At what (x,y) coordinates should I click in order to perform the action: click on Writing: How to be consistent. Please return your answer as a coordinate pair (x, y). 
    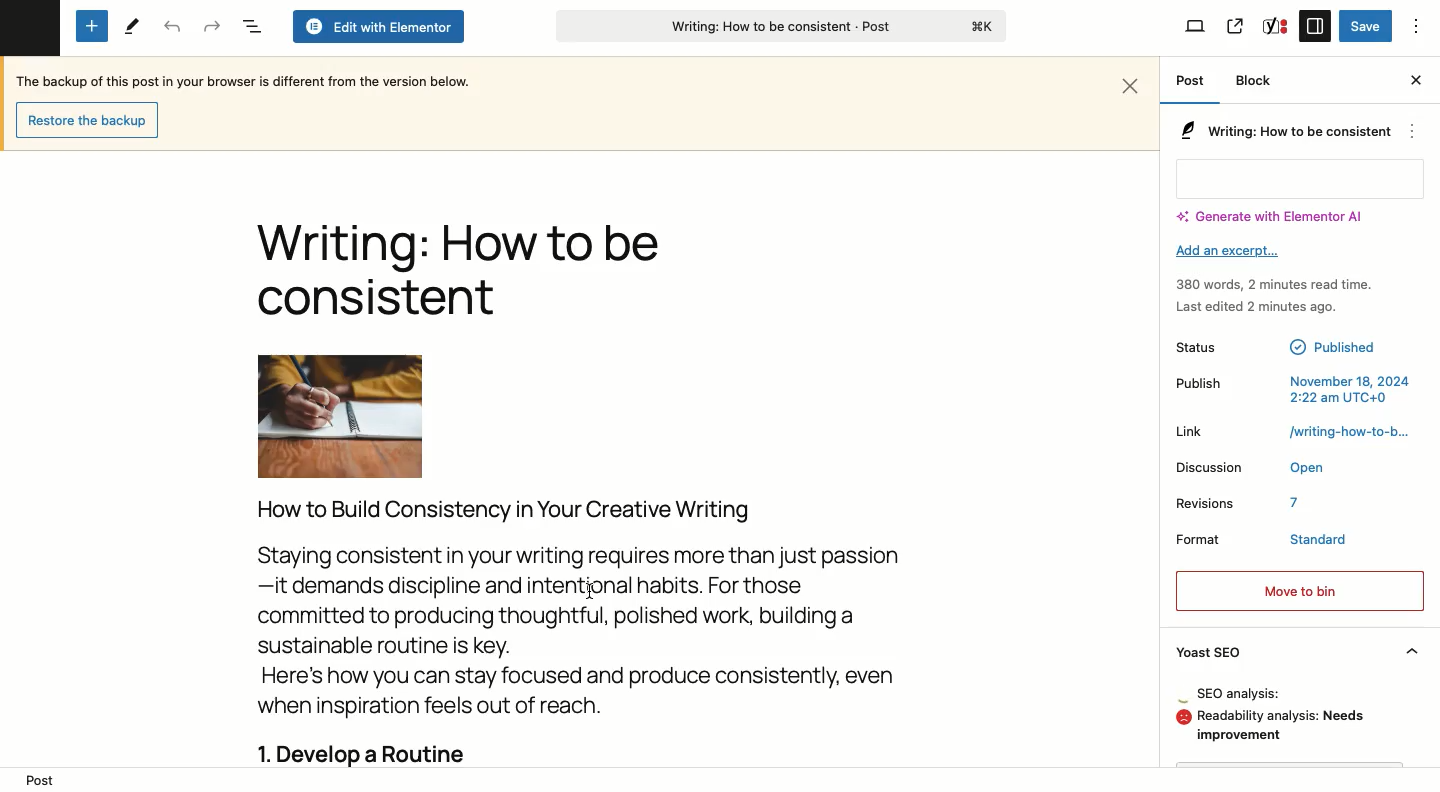
    Looking at the image, I should click on (1292, 132).